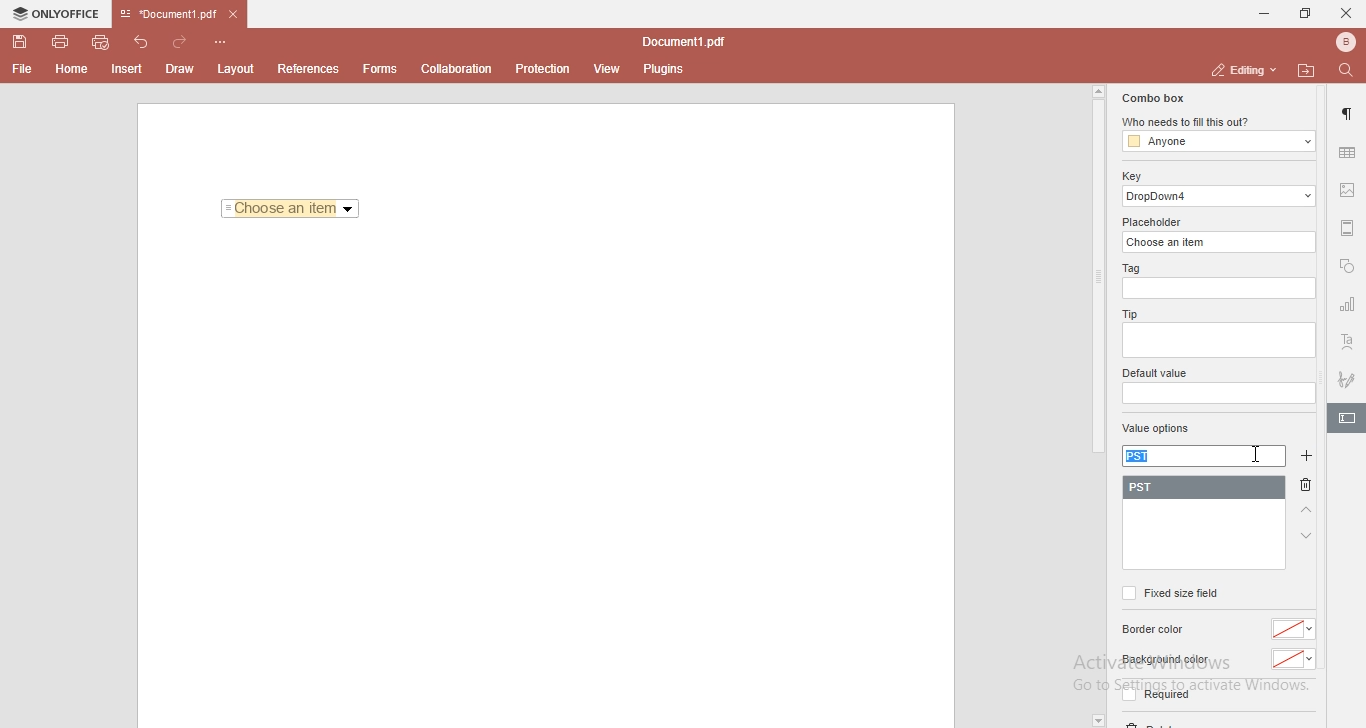 The image size is (1366, 728). I want to click on Insert, so click(127, 70).